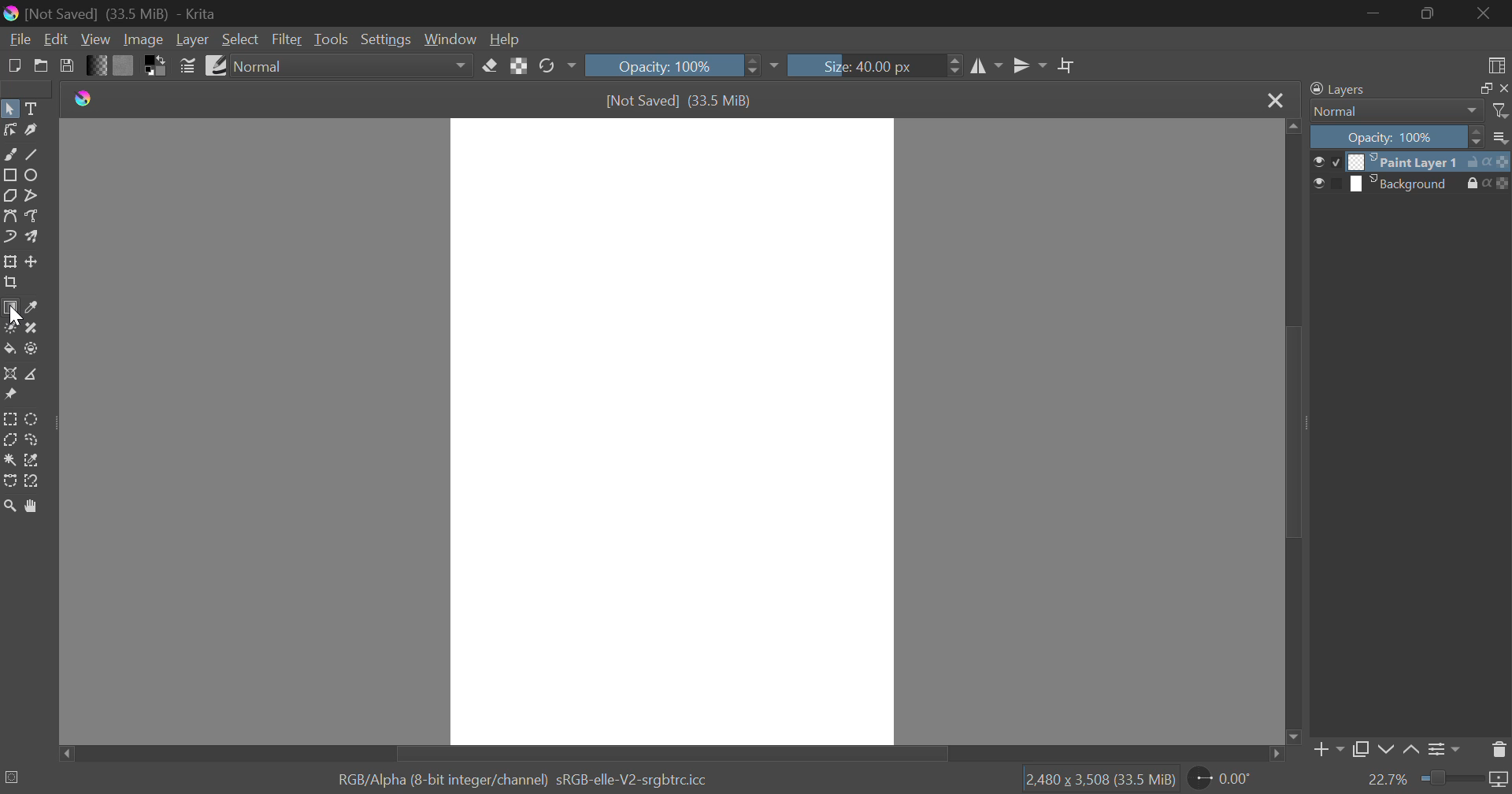  What do you see at coordinates (30, 107) in the screenshot?
I see `Text` at bounding box center [30, 107].